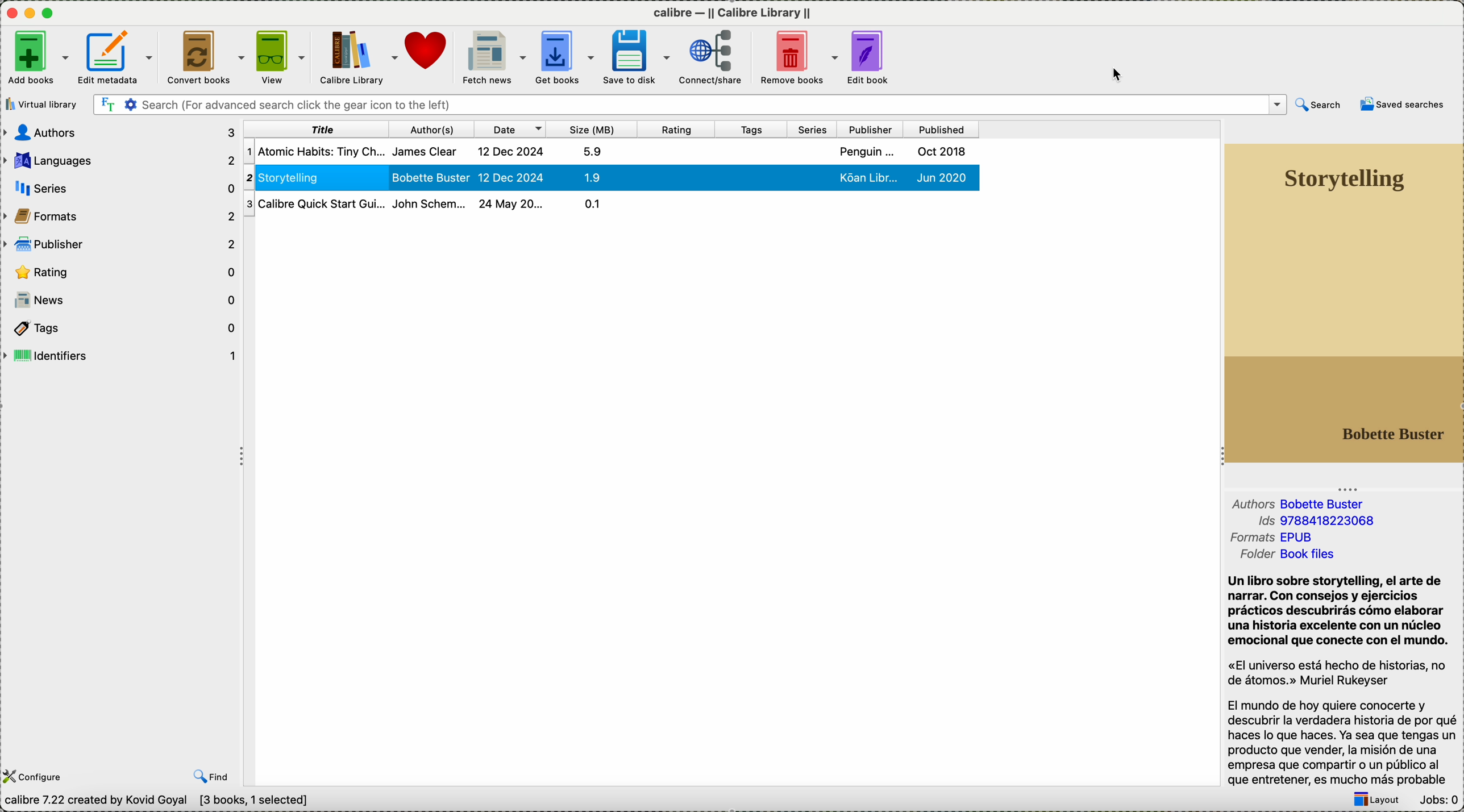 The image size is (1464, 812). Describe the element at coordinates (114, 60) in the screenshot. I see `click on edit metadata` at that location.